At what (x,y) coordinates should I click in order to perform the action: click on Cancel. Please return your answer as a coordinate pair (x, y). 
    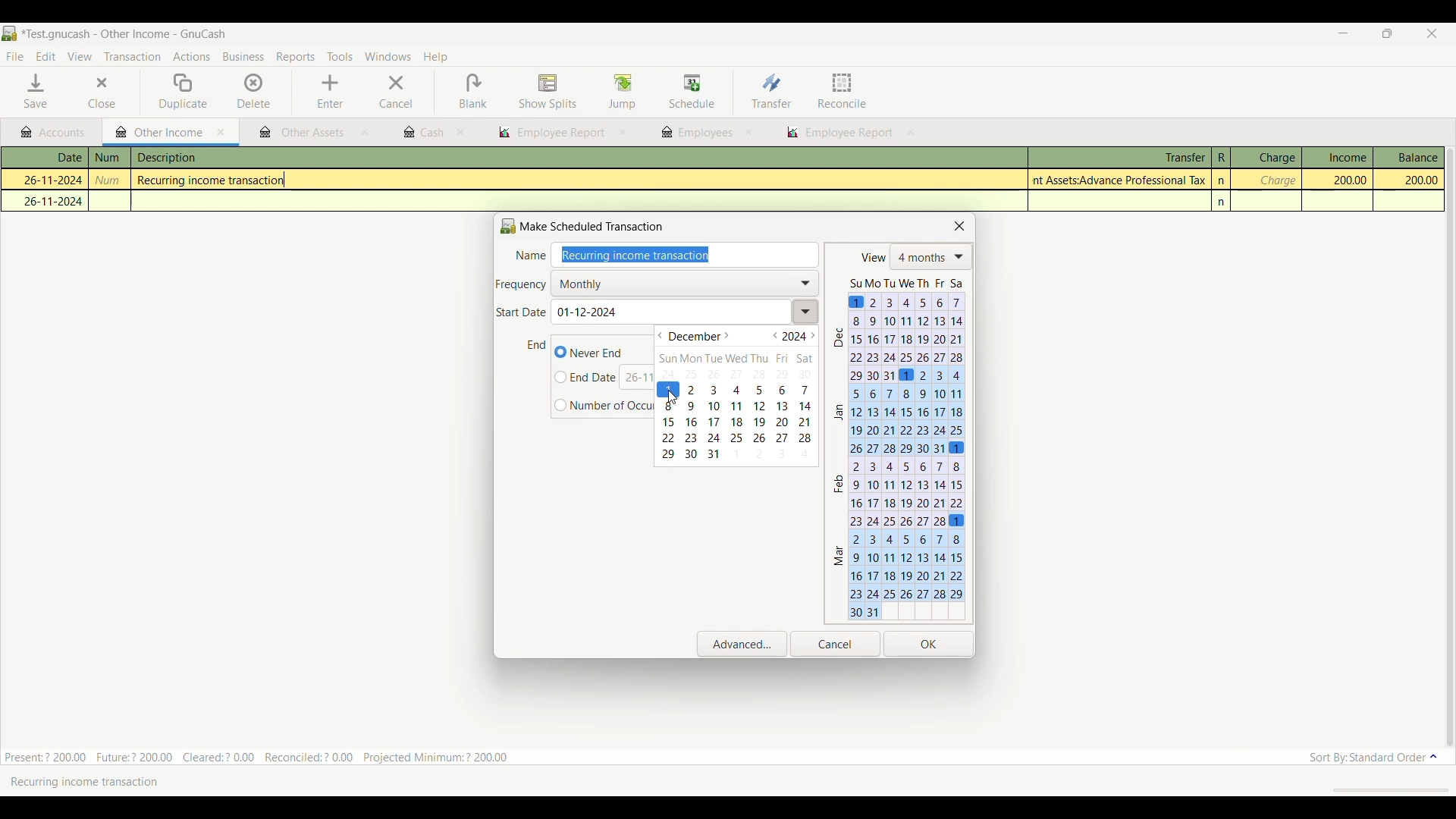
    Looking at the image, I should click on (396, 92).